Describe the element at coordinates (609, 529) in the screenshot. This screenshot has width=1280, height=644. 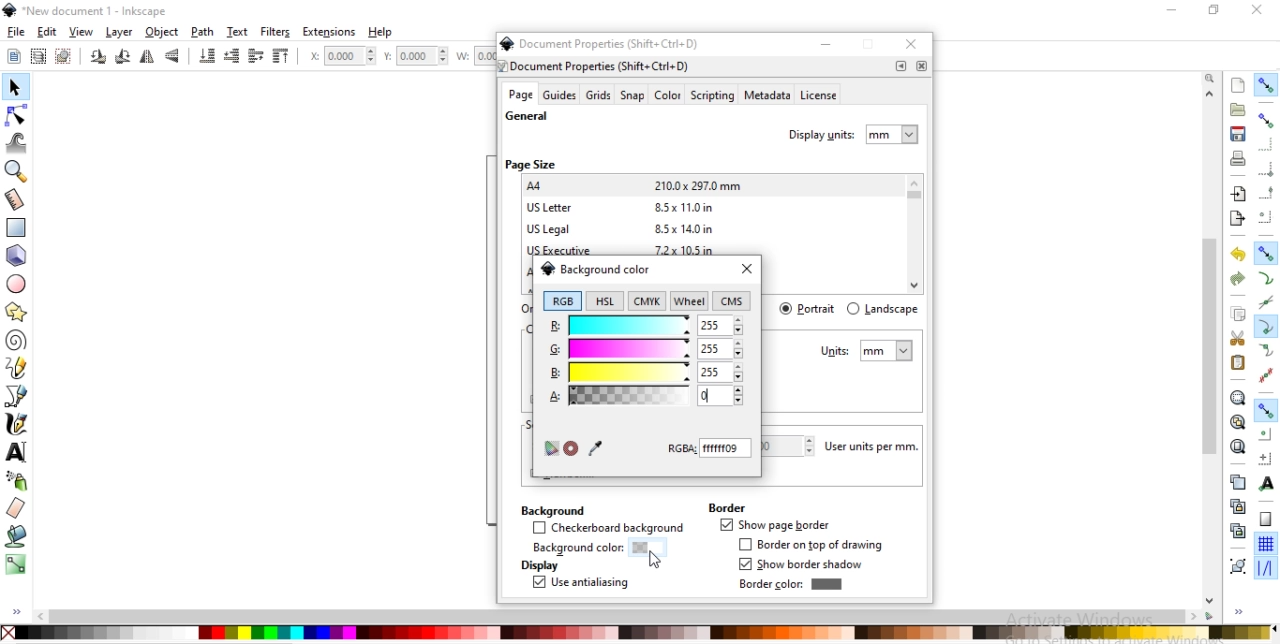
I see `checkerboard background` at that location.